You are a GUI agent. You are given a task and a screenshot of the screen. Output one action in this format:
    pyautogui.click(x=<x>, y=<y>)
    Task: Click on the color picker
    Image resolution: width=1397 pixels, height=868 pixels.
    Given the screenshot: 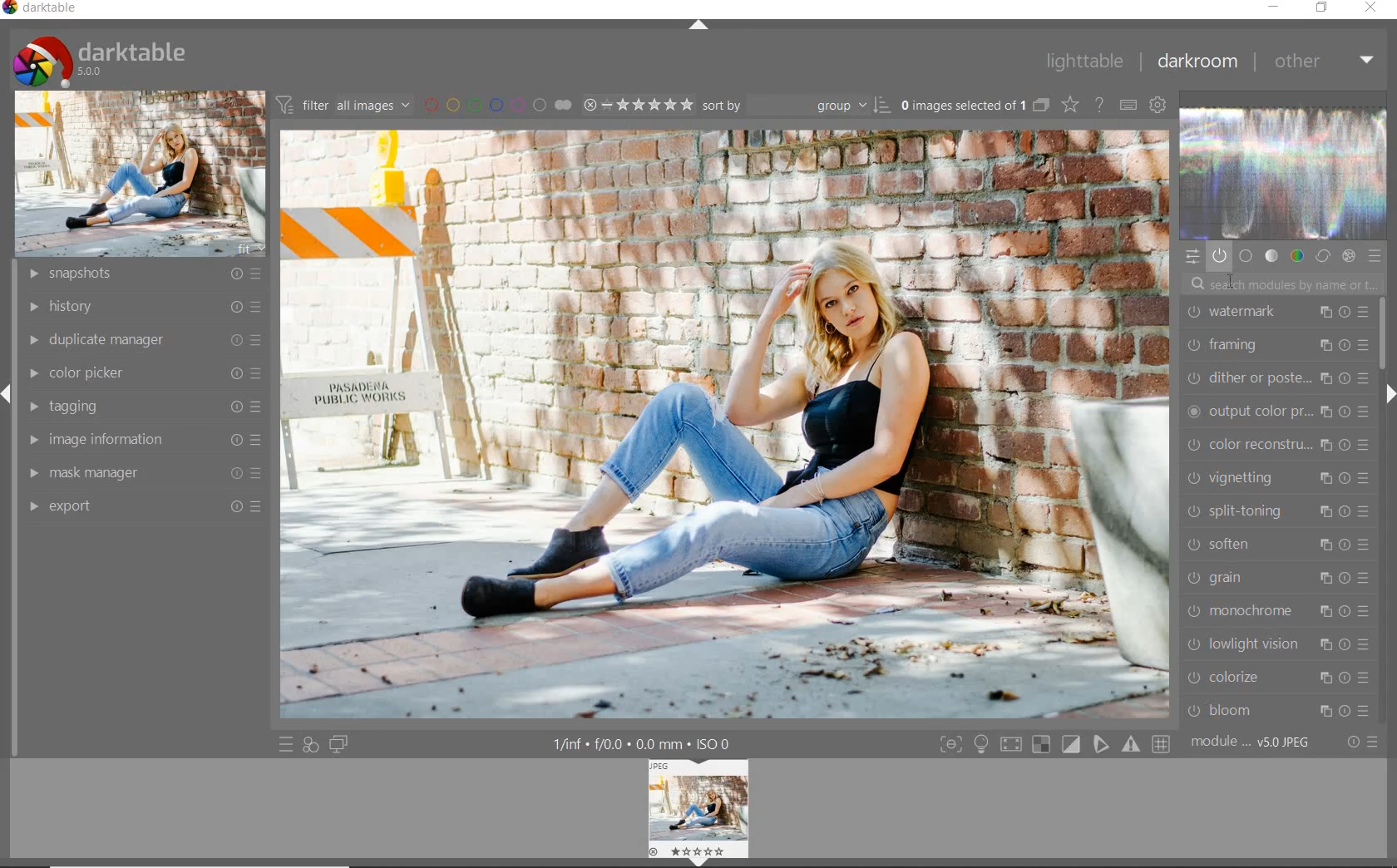 What is the action you would take?
    pyautogui.click(x=141, y=374)
    